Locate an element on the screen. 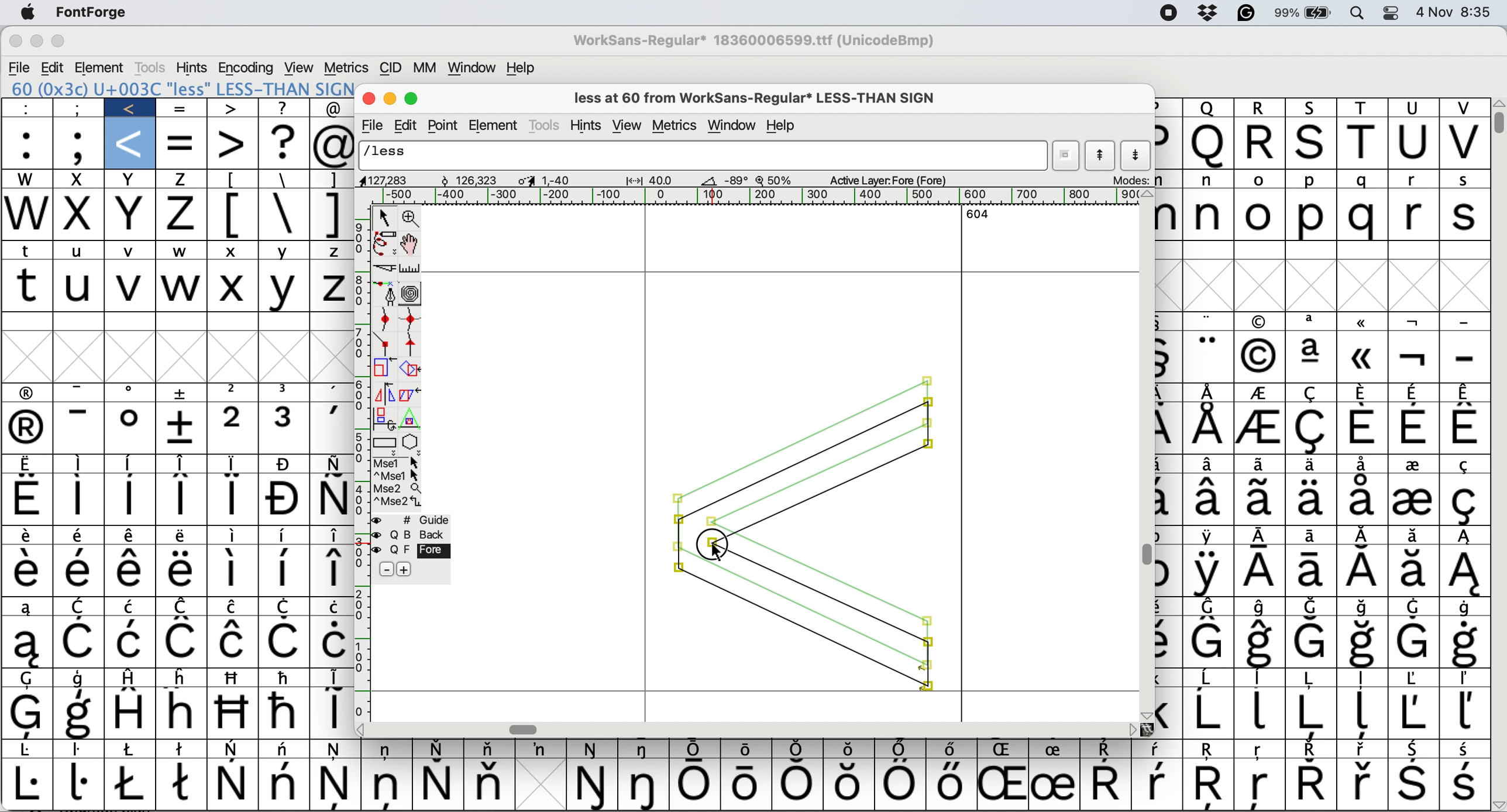 The image size is (1507, 812). \ is located at coordinates (284, 178).